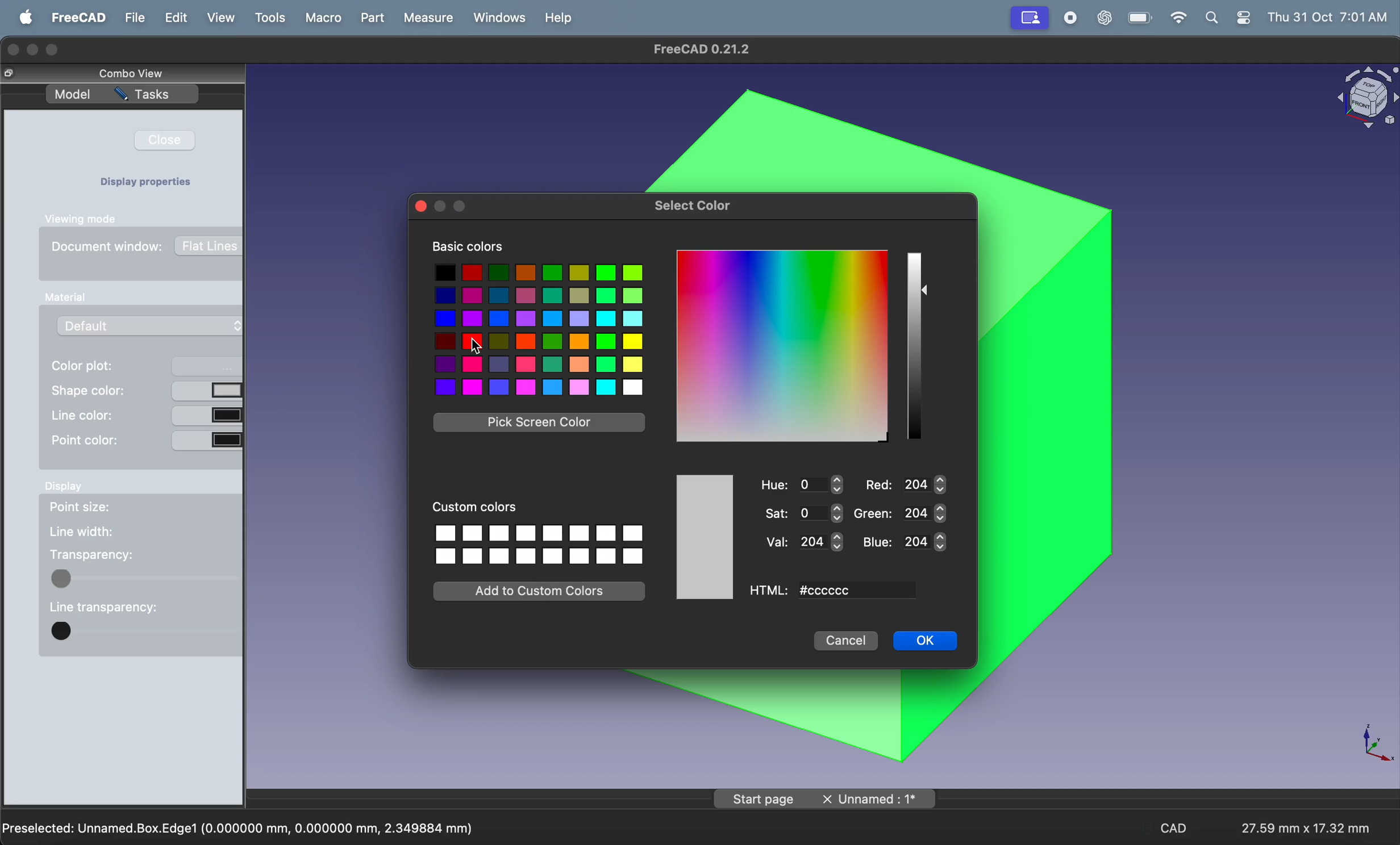 This screenshot has width=1400, height=845. What do you see at coordinates (145, 634) in the screenshot?
I see `toogle` at bounding box center [145, 634].